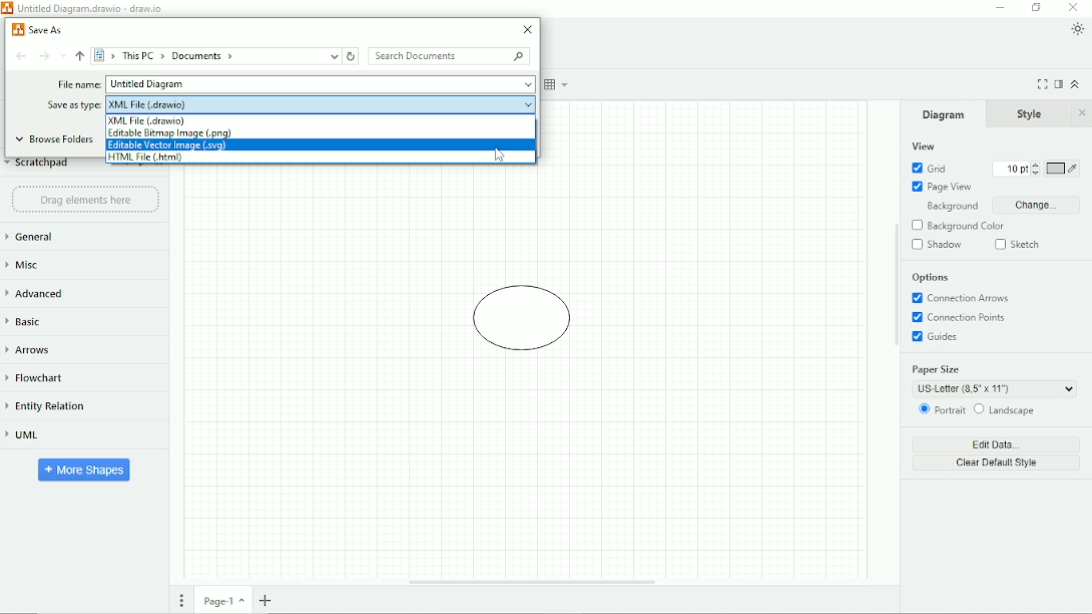  I want to click on Save as type: XML File (.drawio), so click(287, 104).